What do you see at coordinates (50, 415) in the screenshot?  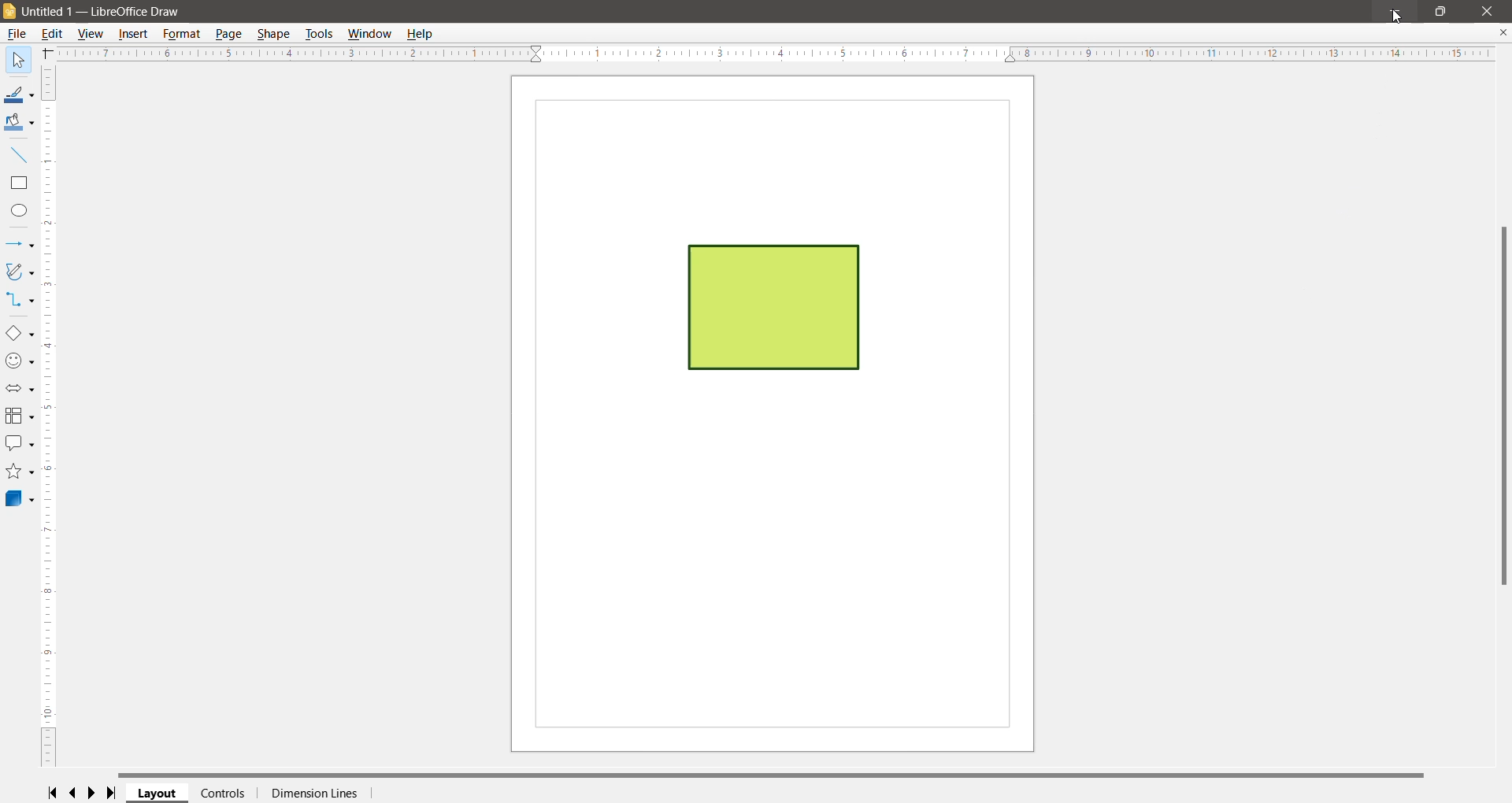 I see `Vertical Ruler` at bounding box center [50, 415].